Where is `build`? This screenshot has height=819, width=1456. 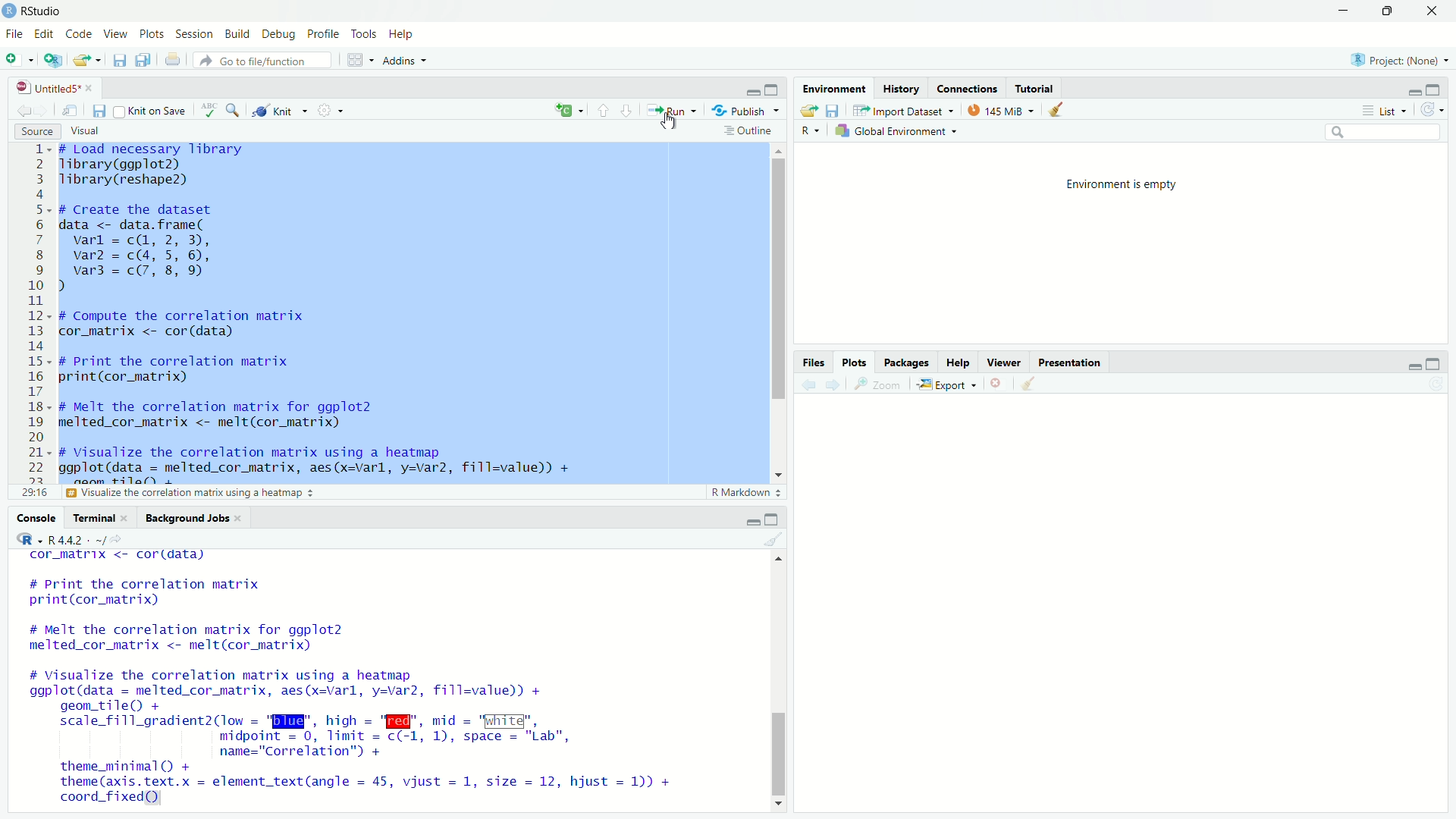
build is located at coordinates (238, 34).